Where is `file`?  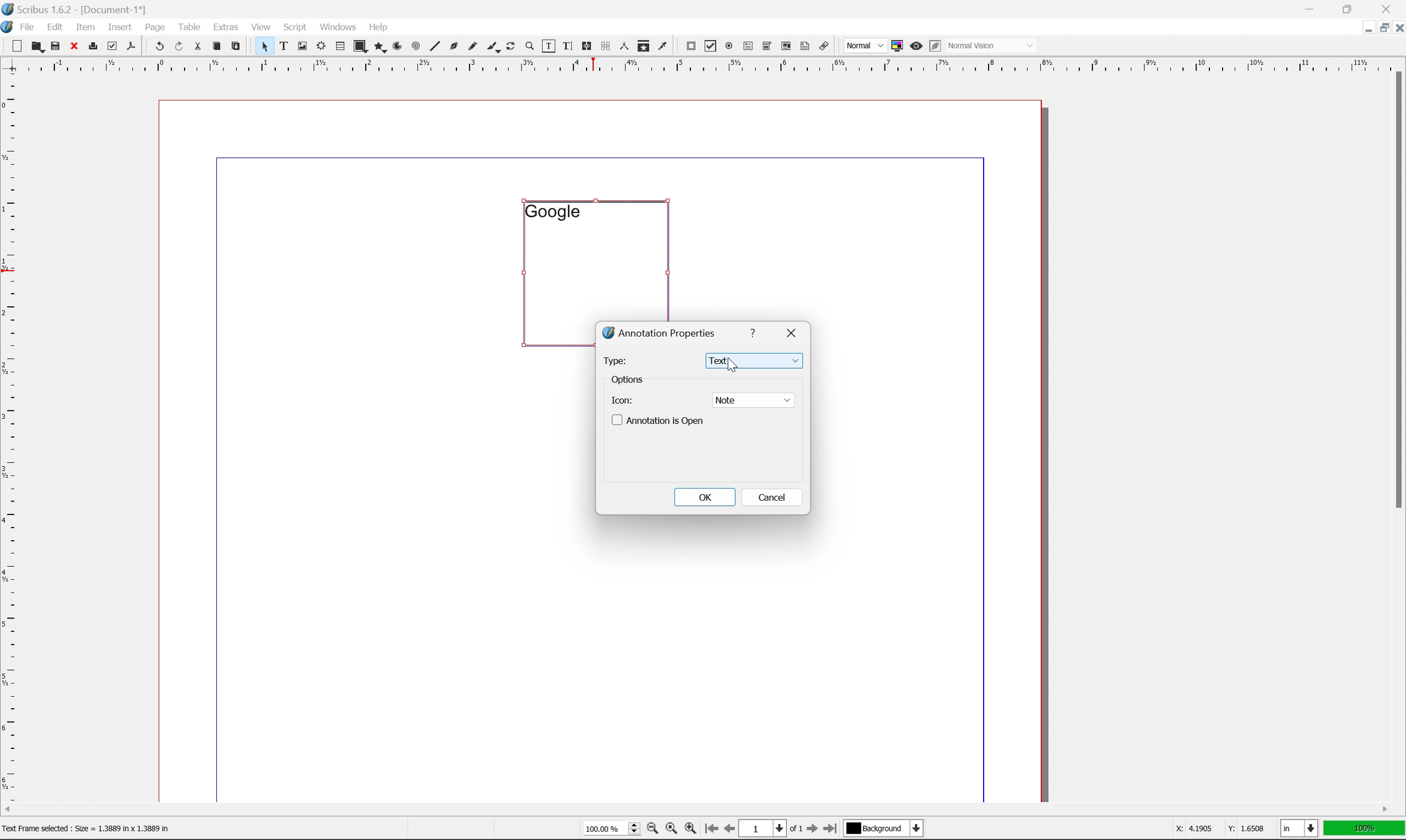 file is located at coordinates (28, 27).